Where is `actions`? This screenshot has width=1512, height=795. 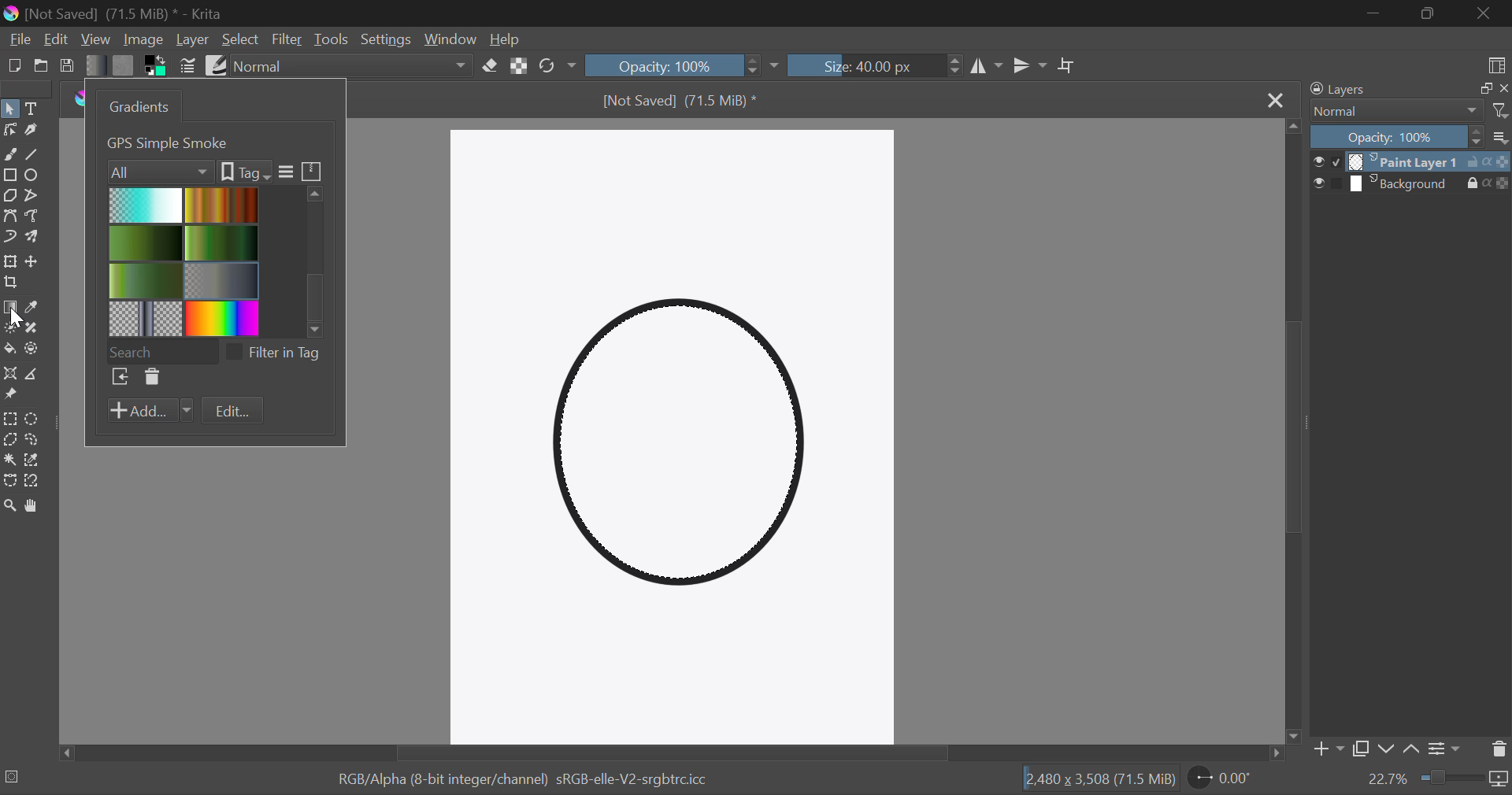
actions is located at coordinates (1488, 162).